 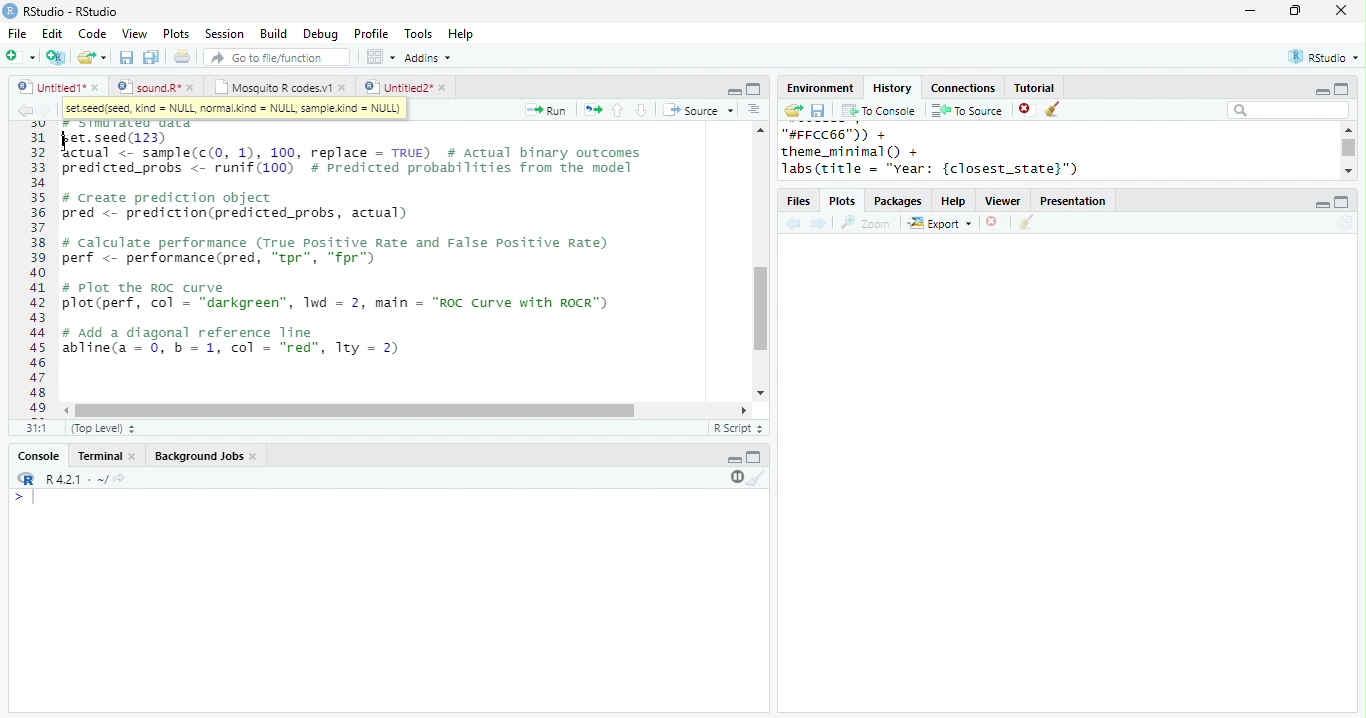 What do you see at coordinates (151, 57) in the screenshot?
I see `save all` at bounding box center [151, 57].